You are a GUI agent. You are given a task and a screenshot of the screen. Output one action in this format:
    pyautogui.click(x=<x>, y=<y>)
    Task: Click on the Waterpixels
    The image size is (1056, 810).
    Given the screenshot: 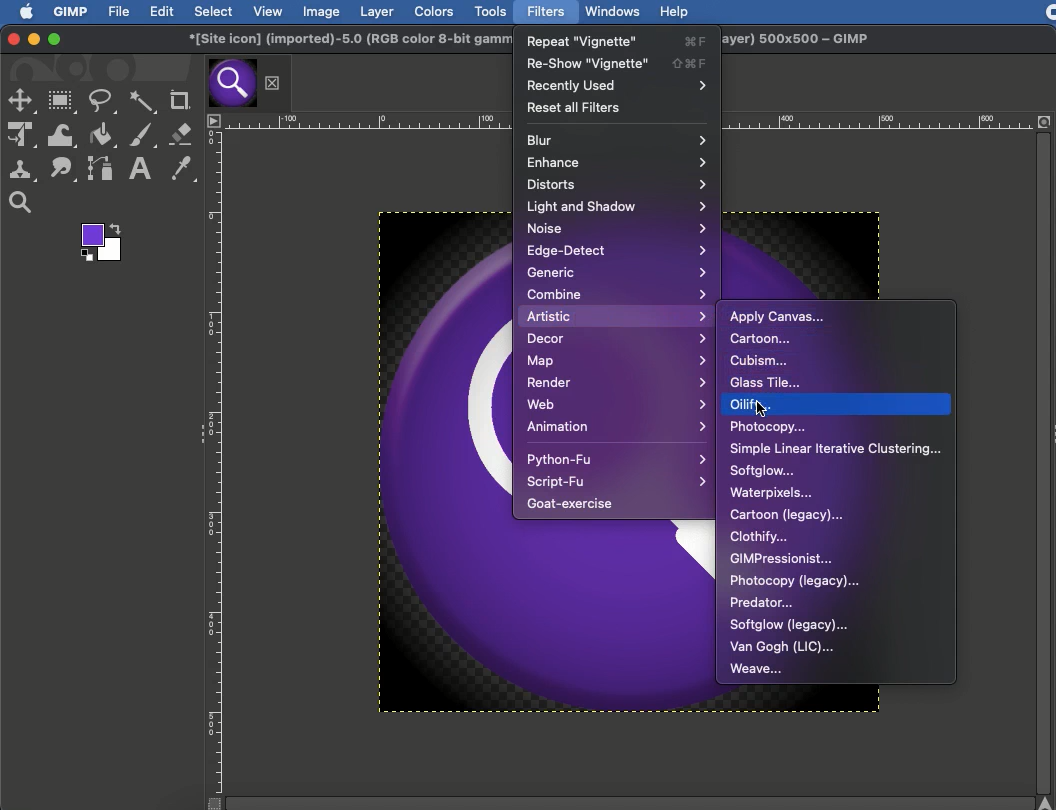 What is the action you would take?
    pyautogui.click(x=771, y=494)
    